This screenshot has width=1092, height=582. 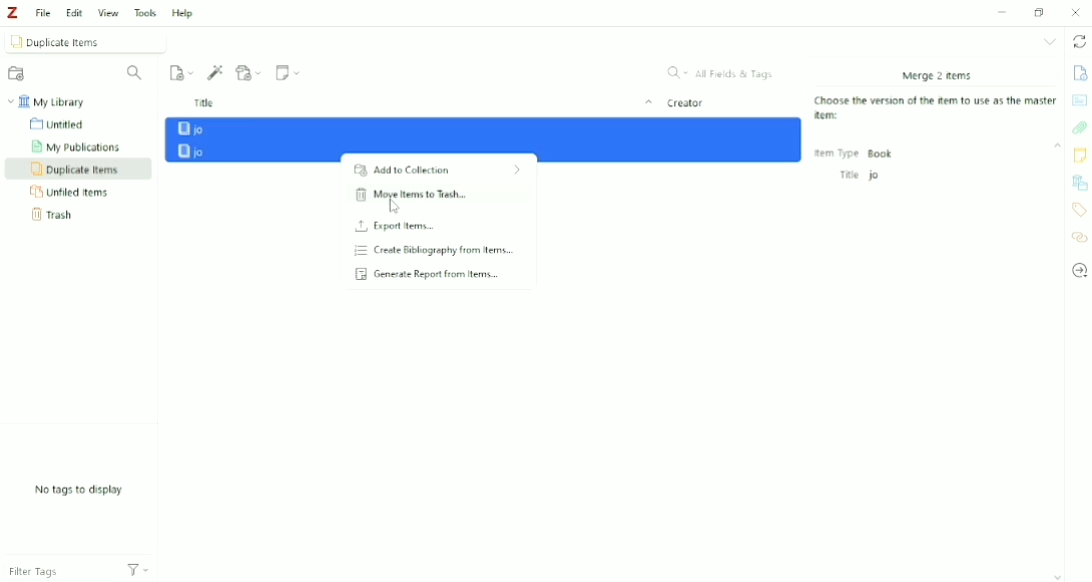 I want to click on New Collection, so click(x=18, y=74).